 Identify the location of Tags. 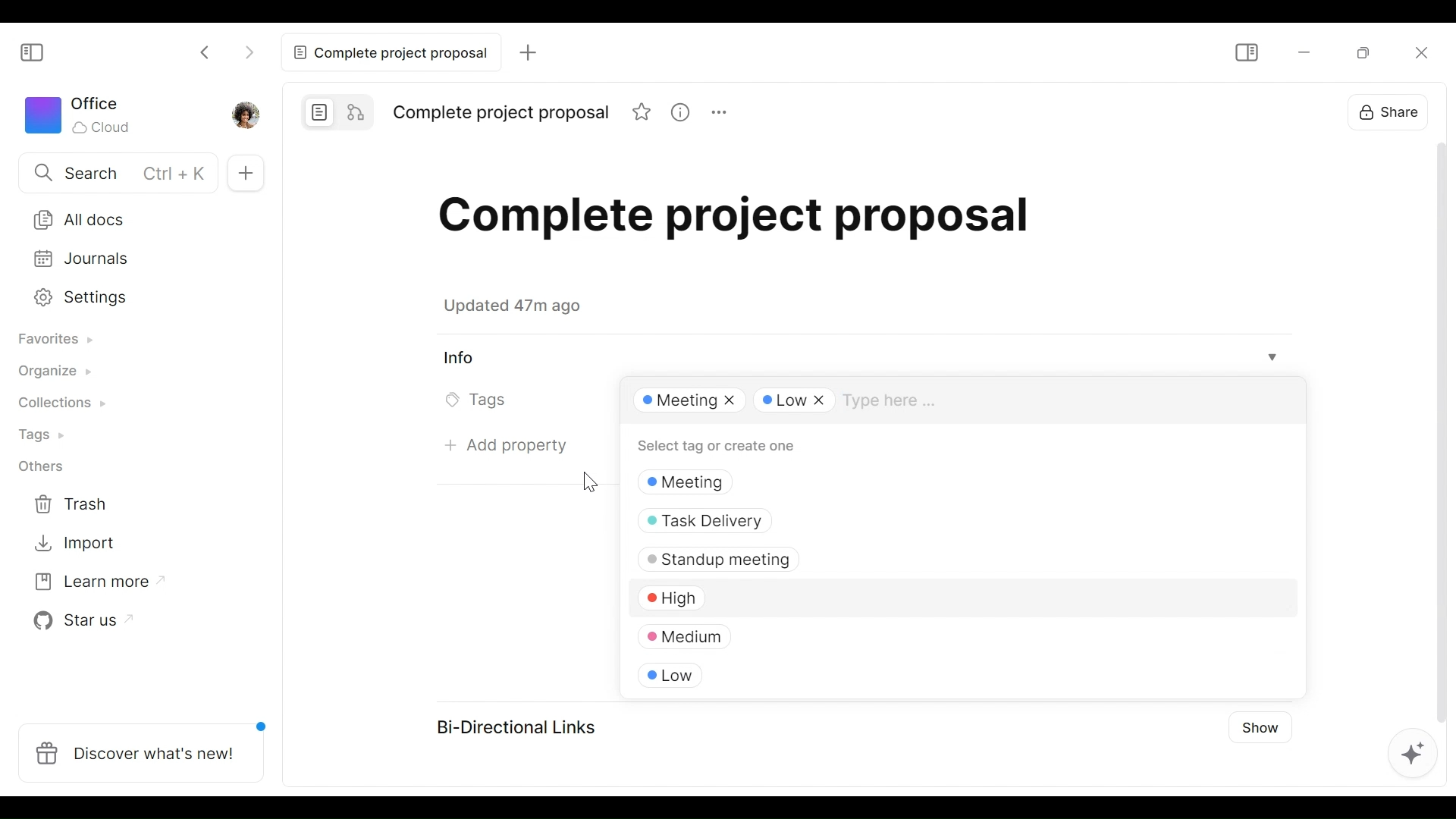
(479, 402).